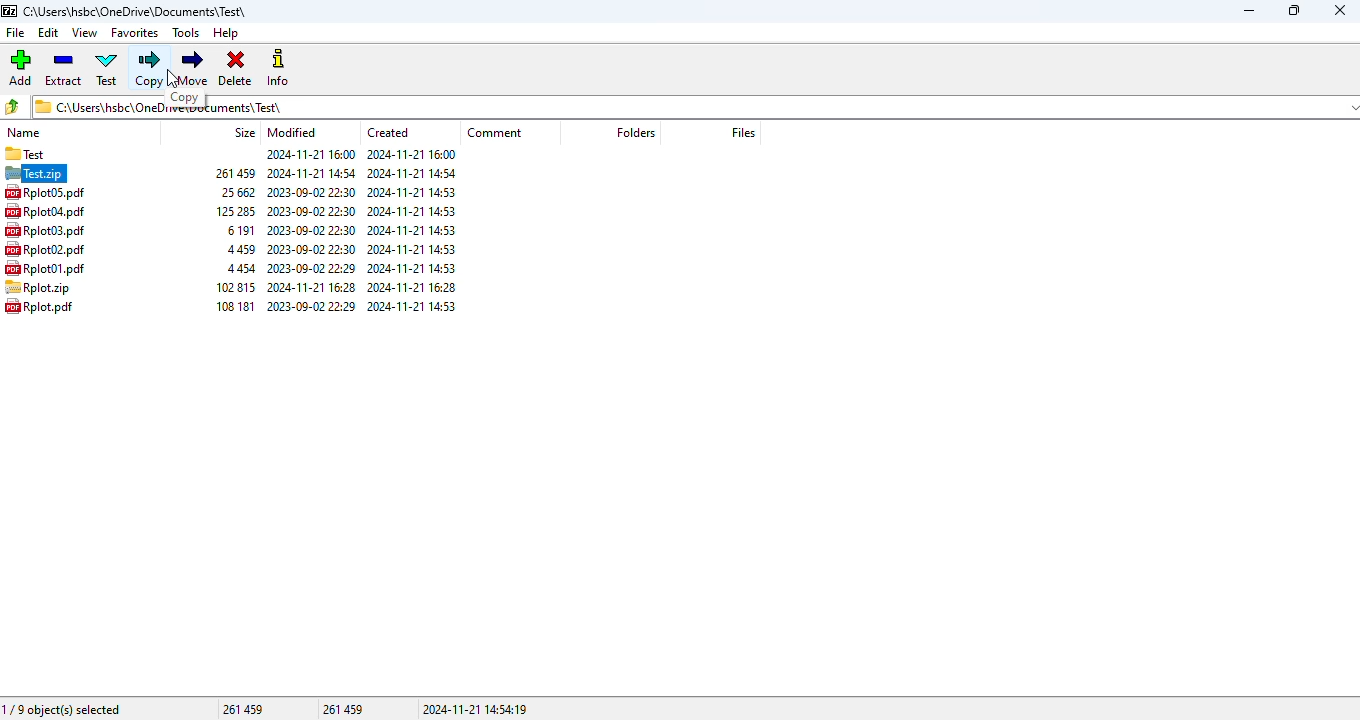  Describe the element at coordinates (10, 11) in the screenshot. I see `logo` at that location.